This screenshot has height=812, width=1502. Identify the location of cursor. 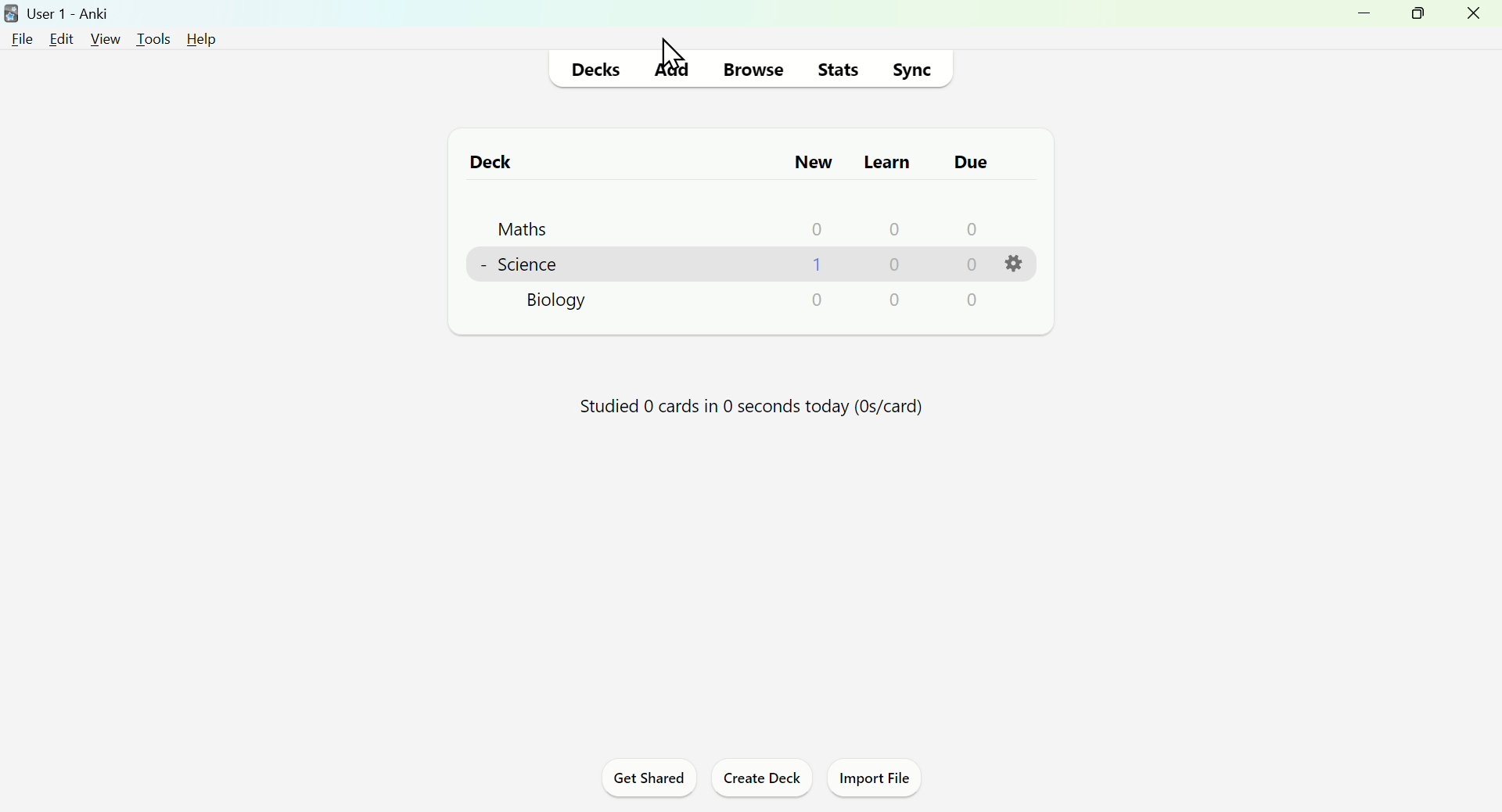
(681, 55).